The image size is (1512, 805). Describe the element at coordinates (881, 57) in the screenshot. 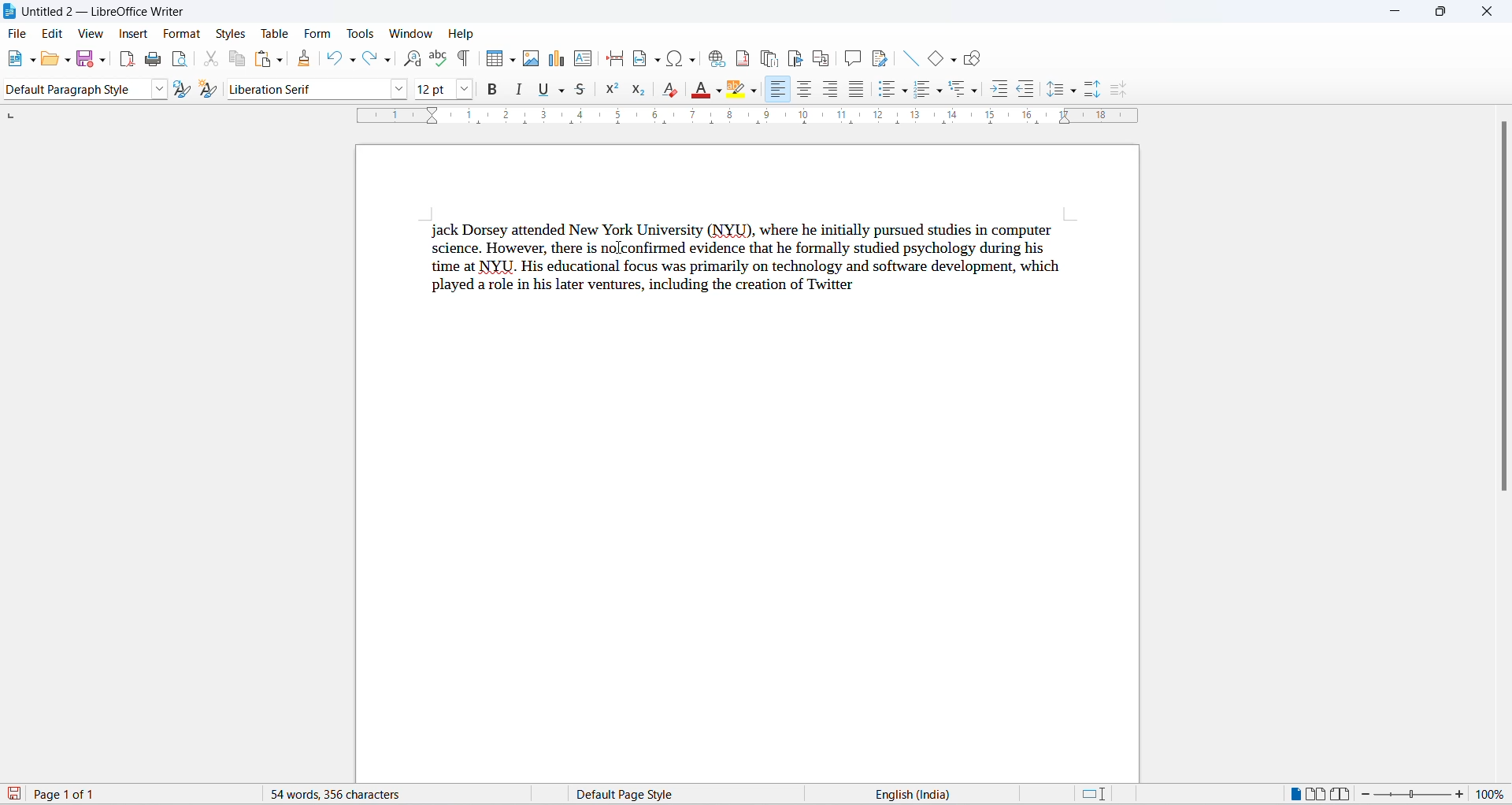

I see `show track changes functions` at that location.